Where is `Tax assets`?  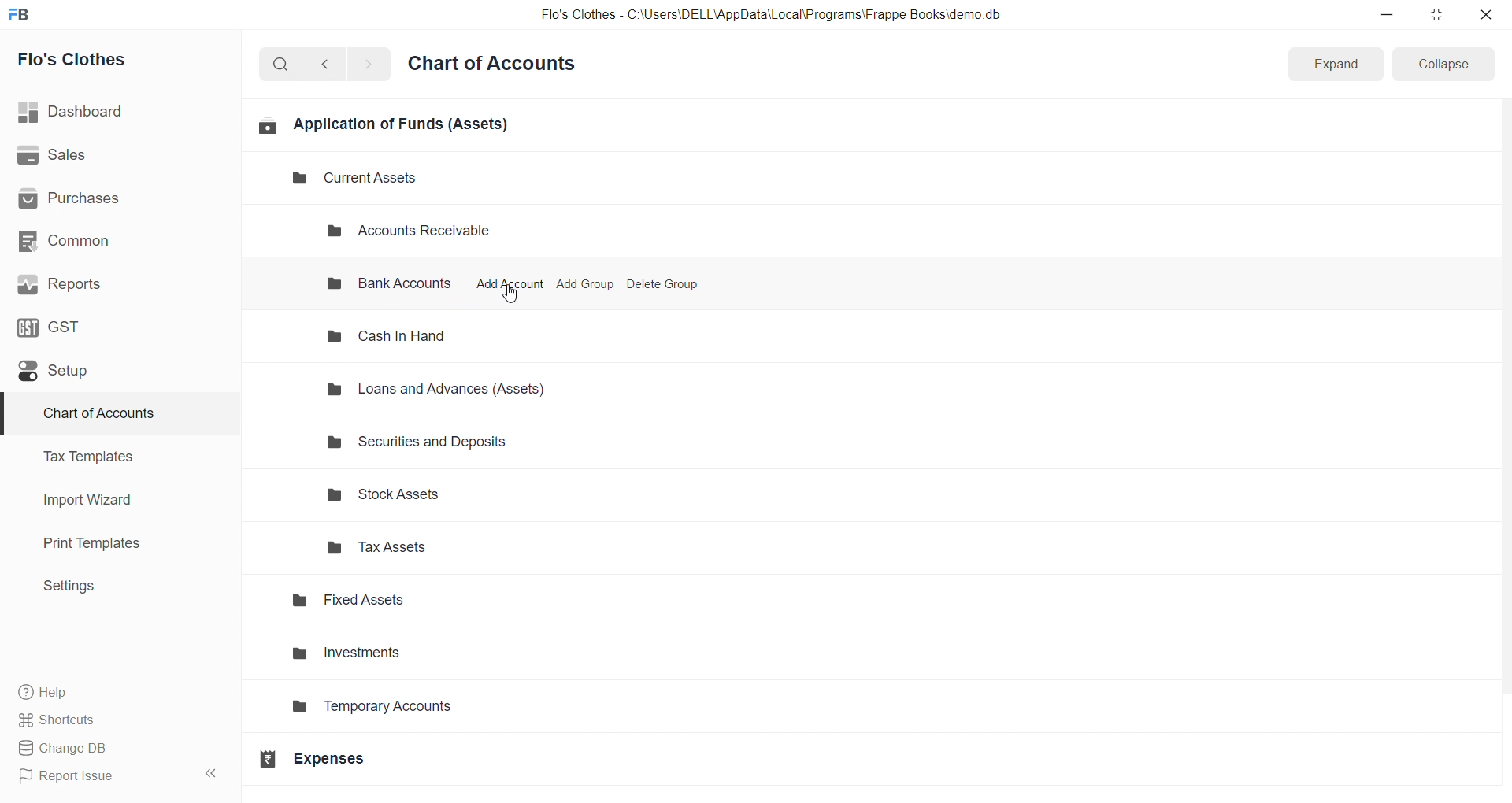 Tax assets is located at coordinates (453, 547).